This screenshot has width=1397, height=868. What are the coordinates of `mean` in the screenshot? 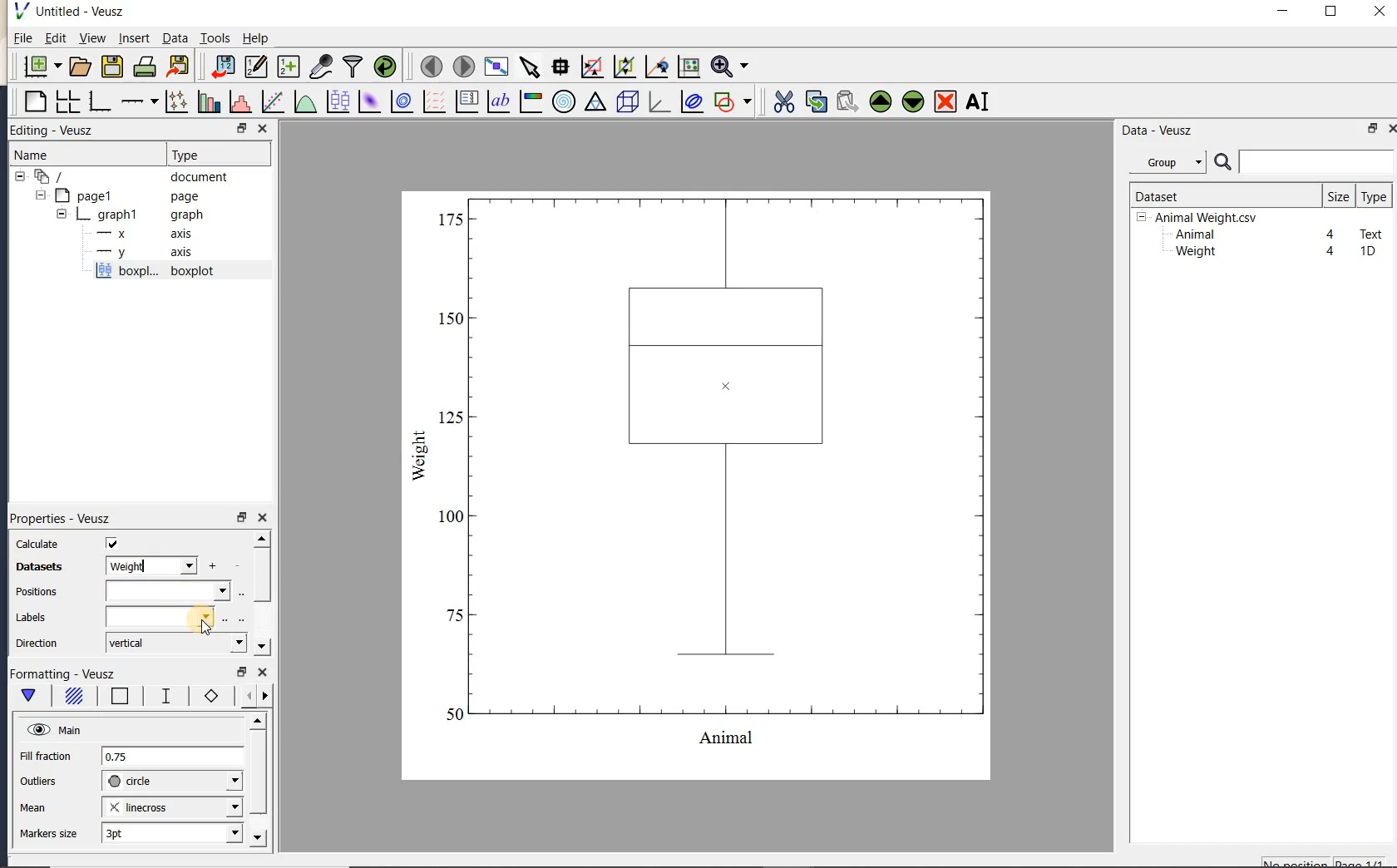 It's located at (34, 806).